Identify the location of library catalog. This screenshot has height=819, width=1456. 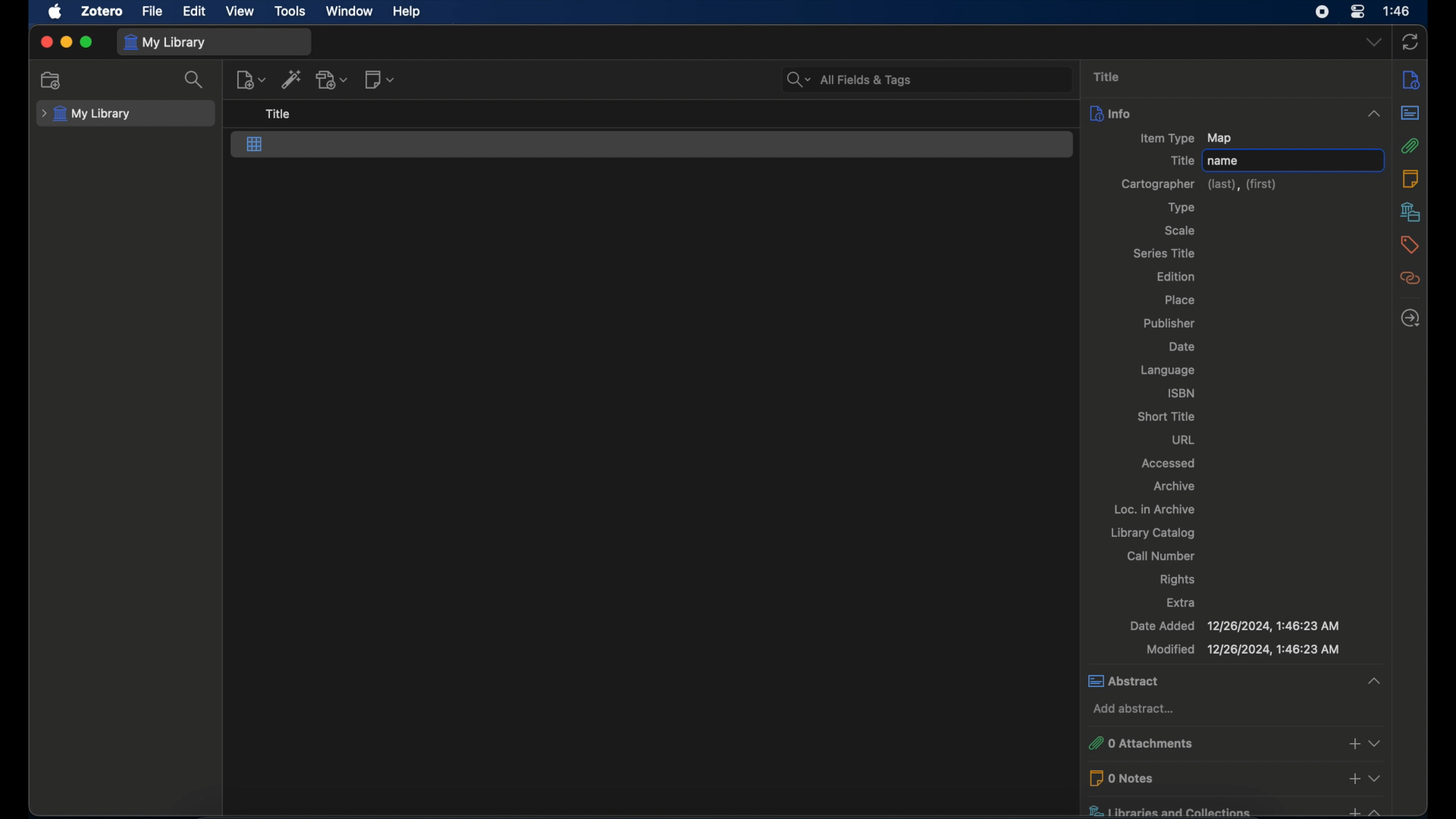
(1154, 532).